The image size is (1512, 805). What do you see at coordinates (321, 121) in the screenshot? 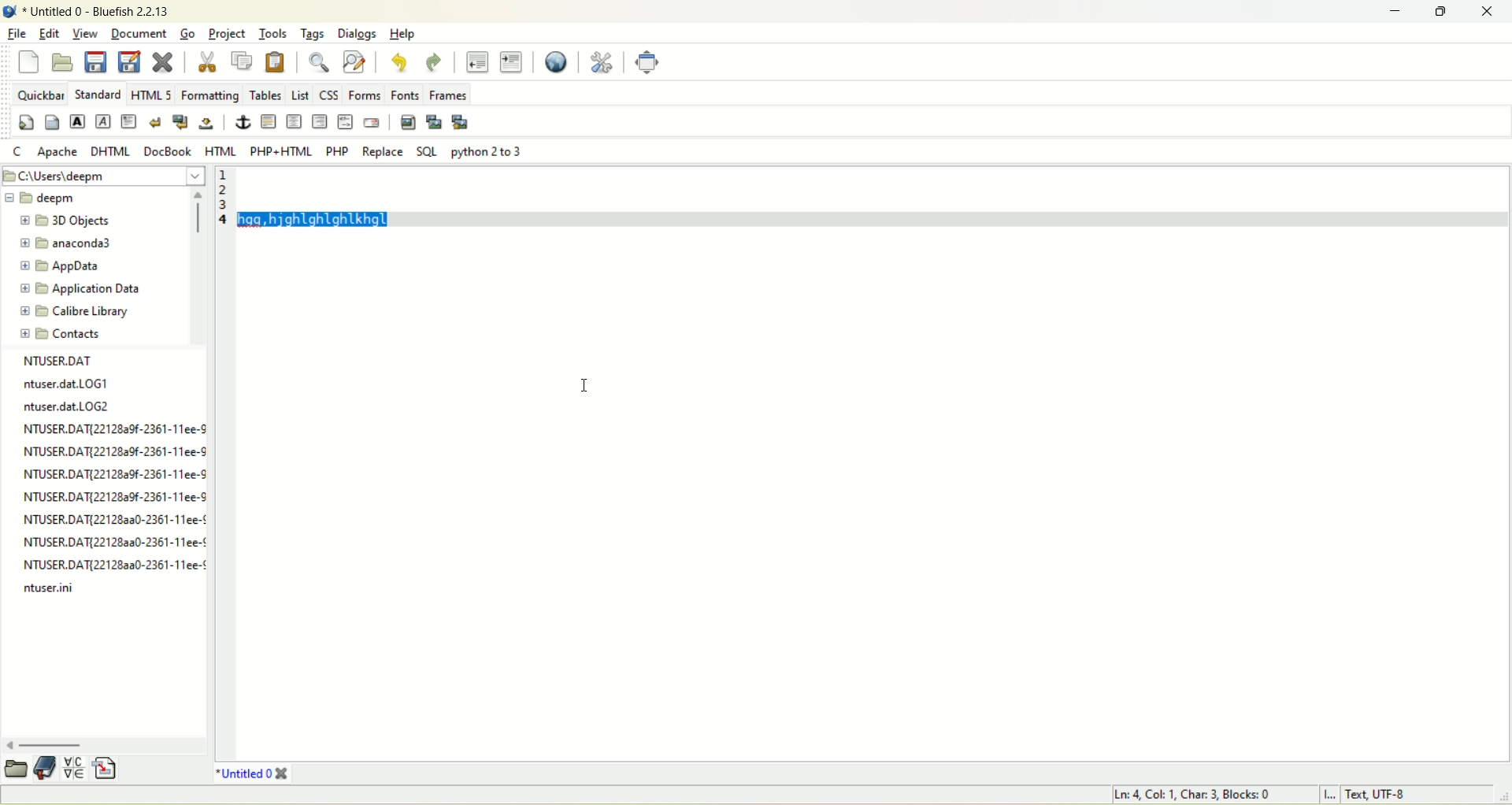
I see `right justify` at bounding box center [321, 121].